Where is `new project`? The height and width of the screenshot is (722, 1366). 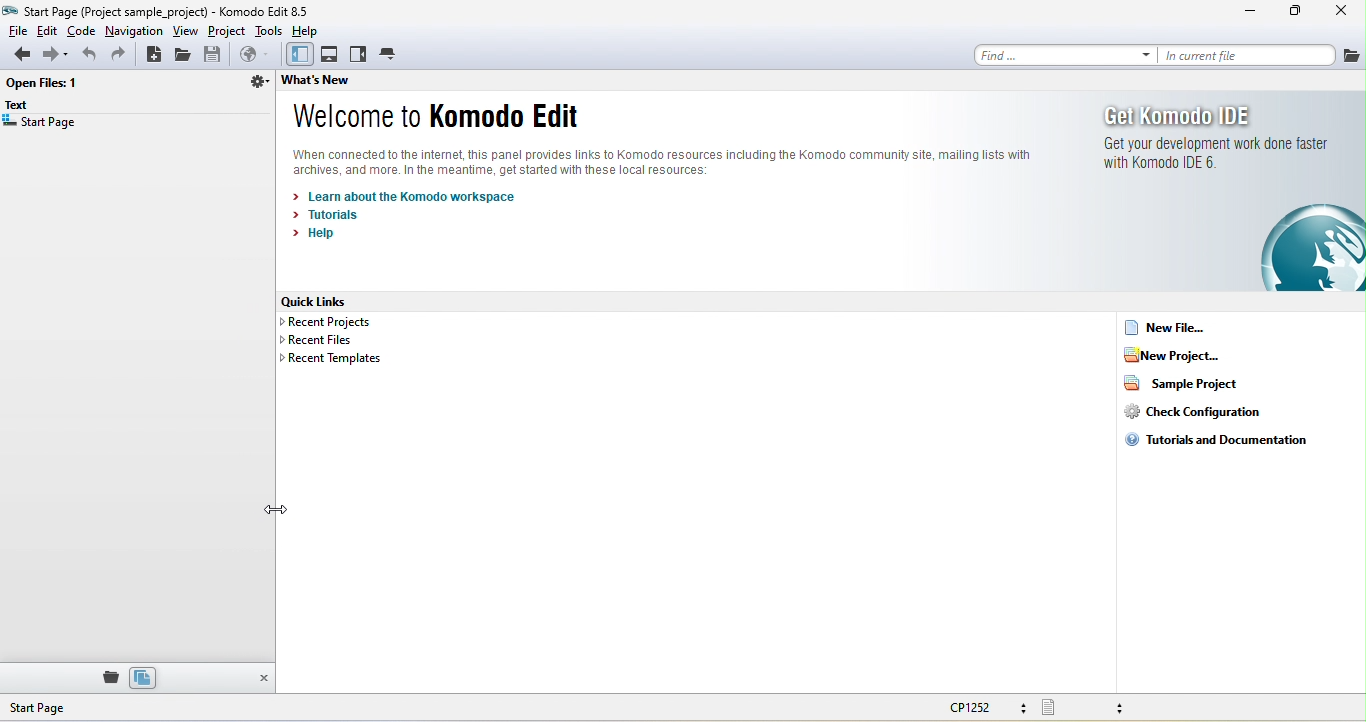 new project is located at coordinates (1191, 355).